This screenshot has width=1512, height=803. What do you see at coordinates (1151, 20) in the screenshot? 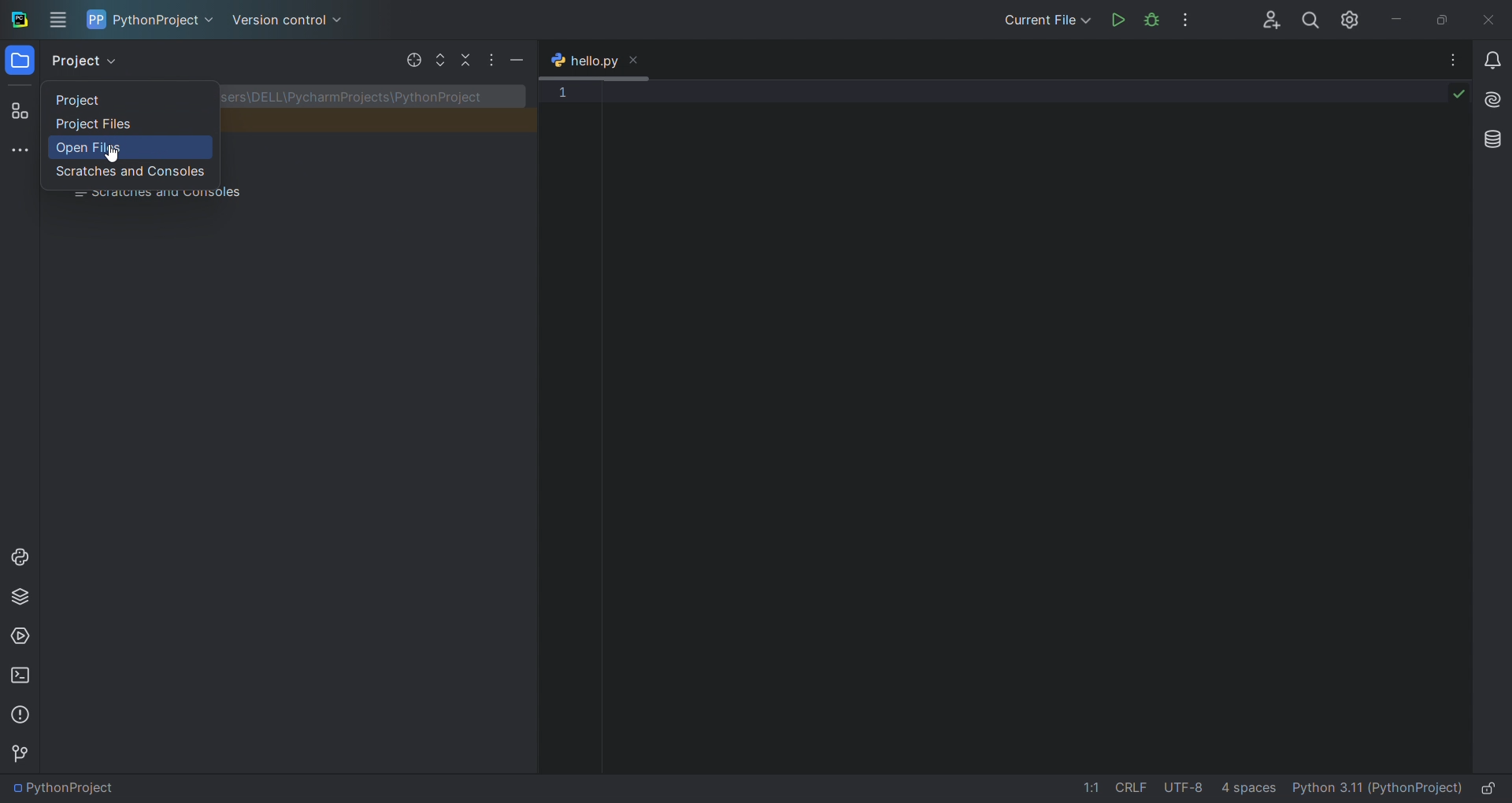
I see `debug ` at bounding box center [1151, 20].